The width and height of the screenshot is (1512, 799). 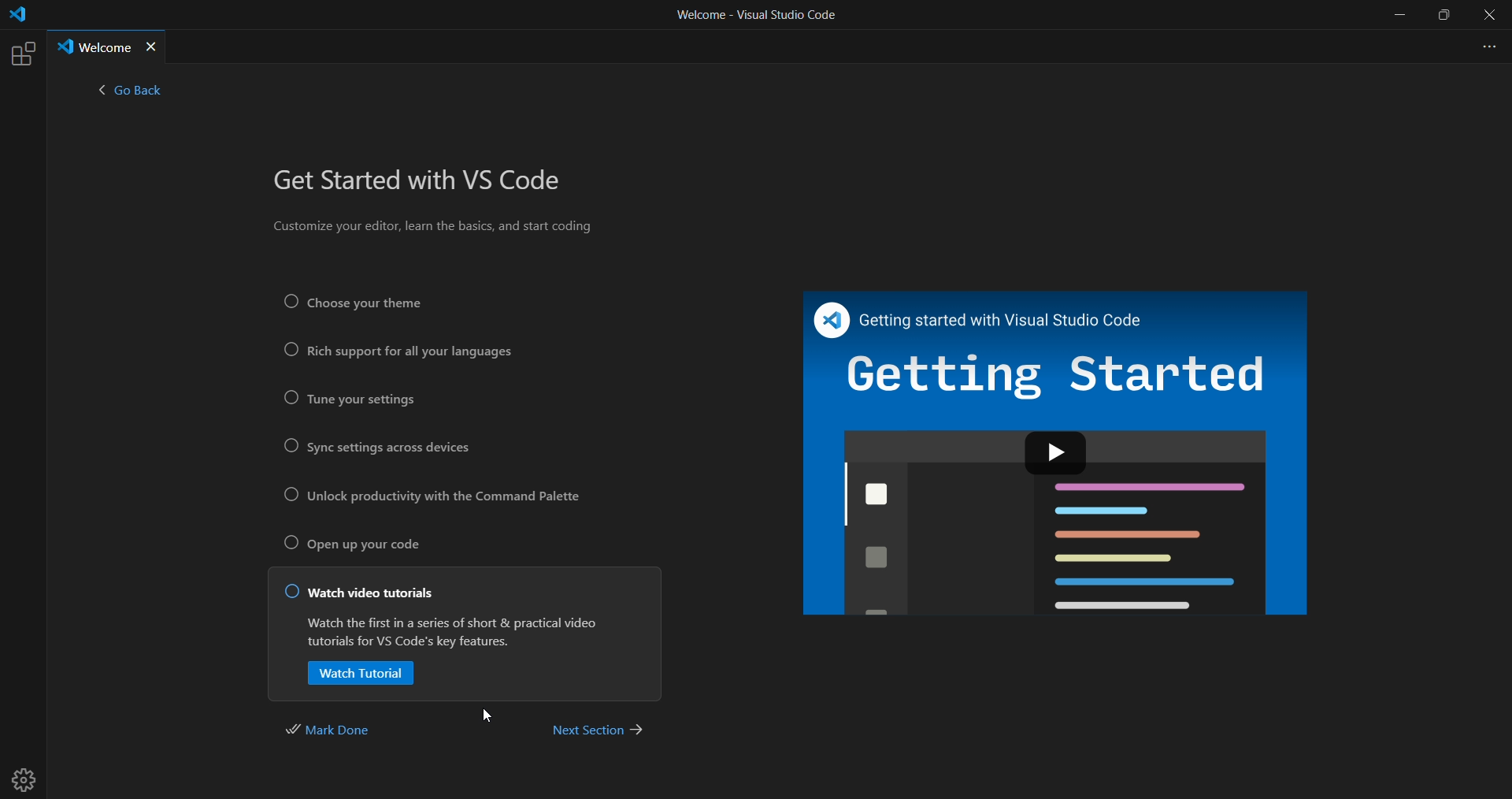 I want to click on mark done, so click(x=337, y=727).